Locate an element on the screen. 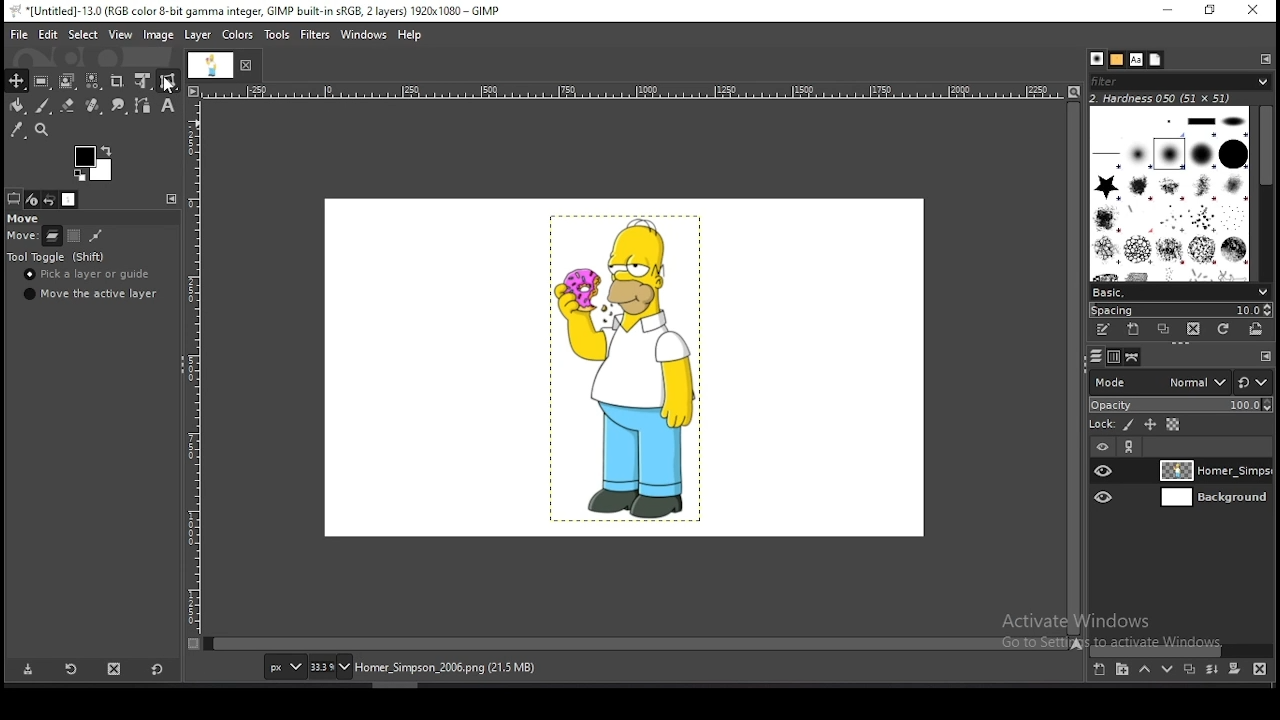 This screenshot has width=1280, height=720. layer is located at coordinates (1213, 471).